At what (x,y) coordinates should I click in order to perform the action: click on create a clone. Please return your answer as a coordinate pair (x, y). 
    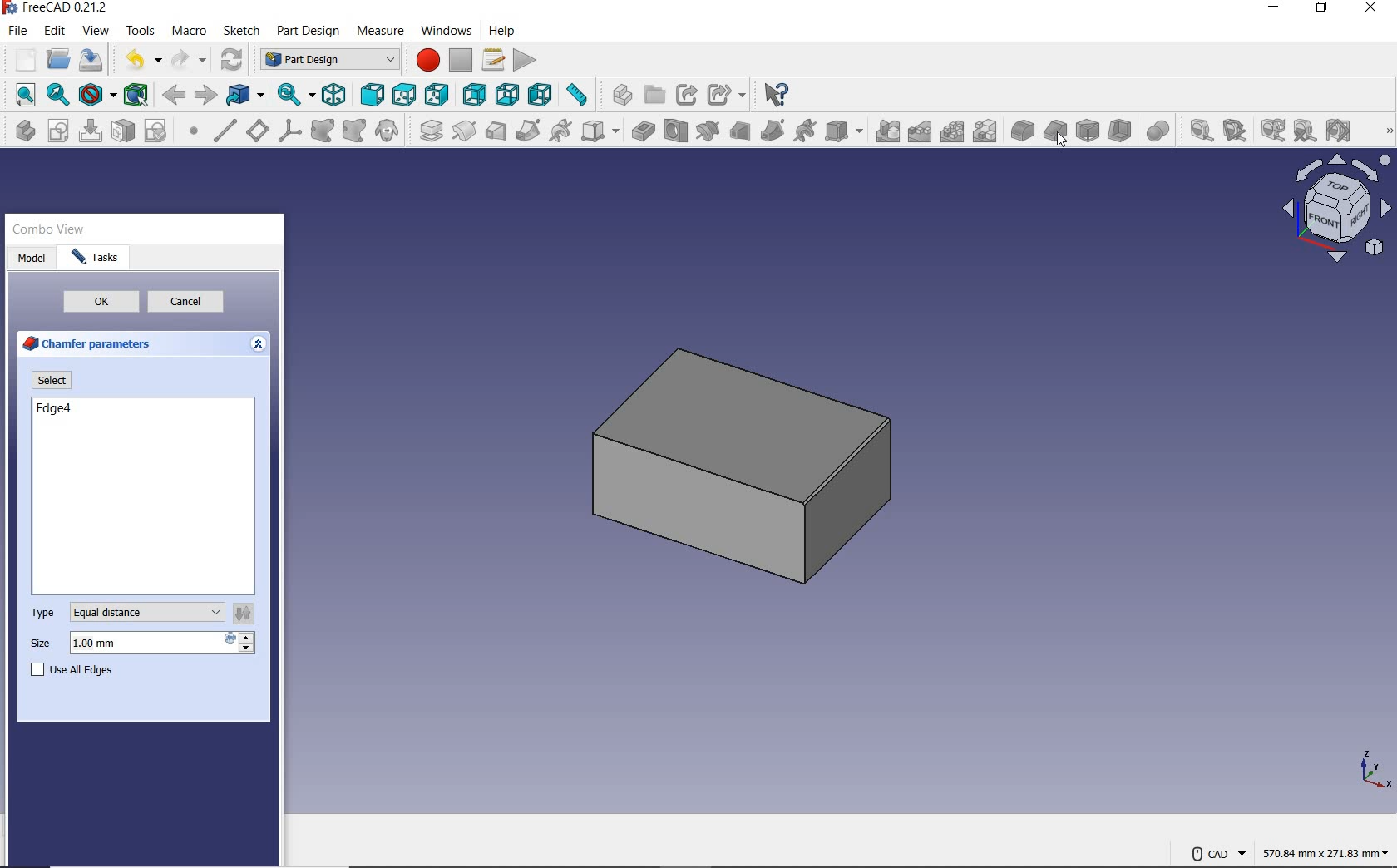
    Looking at the image, I should click on (390, 131).